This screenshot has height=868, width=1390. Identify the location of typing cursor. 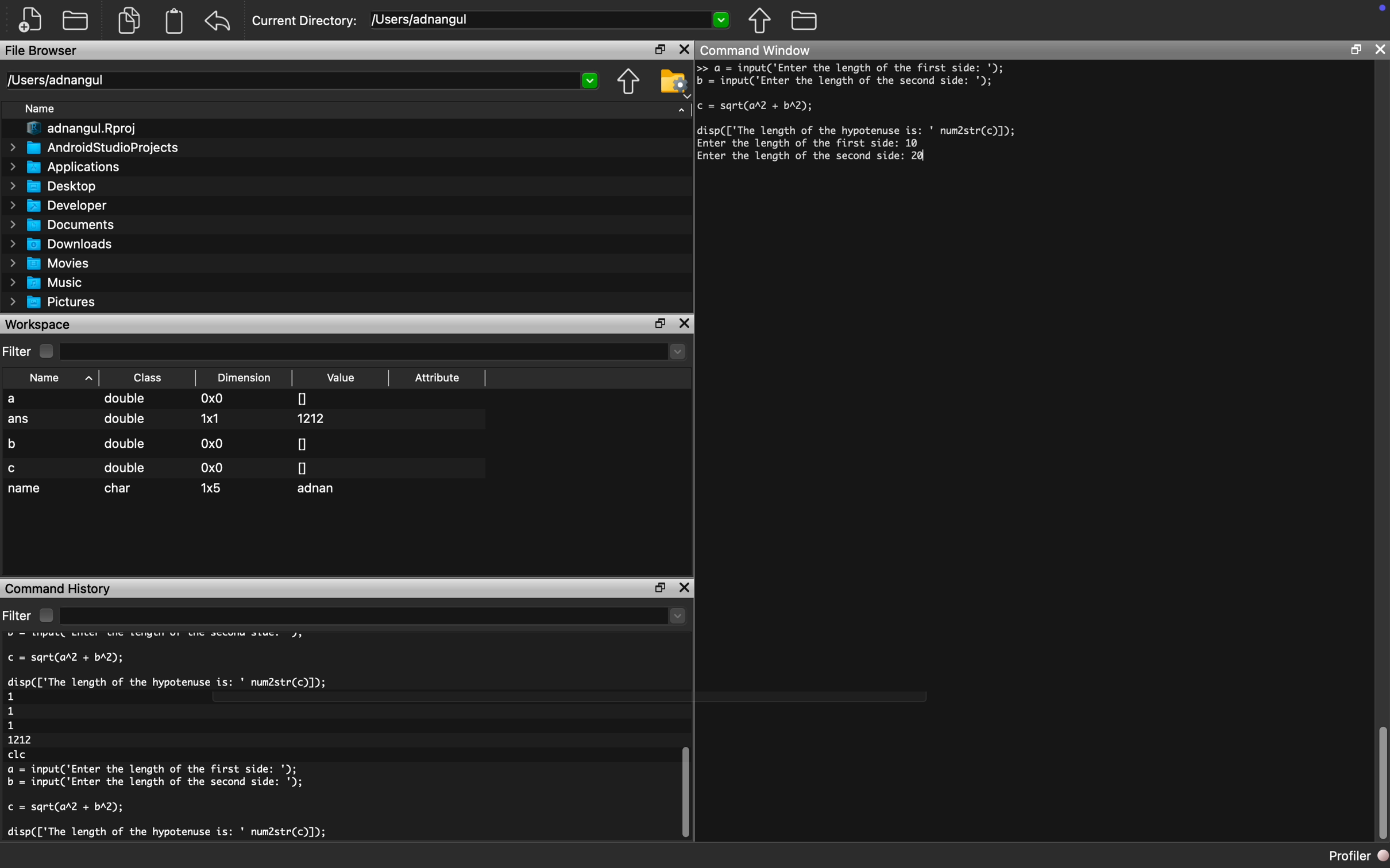
(916, 158).